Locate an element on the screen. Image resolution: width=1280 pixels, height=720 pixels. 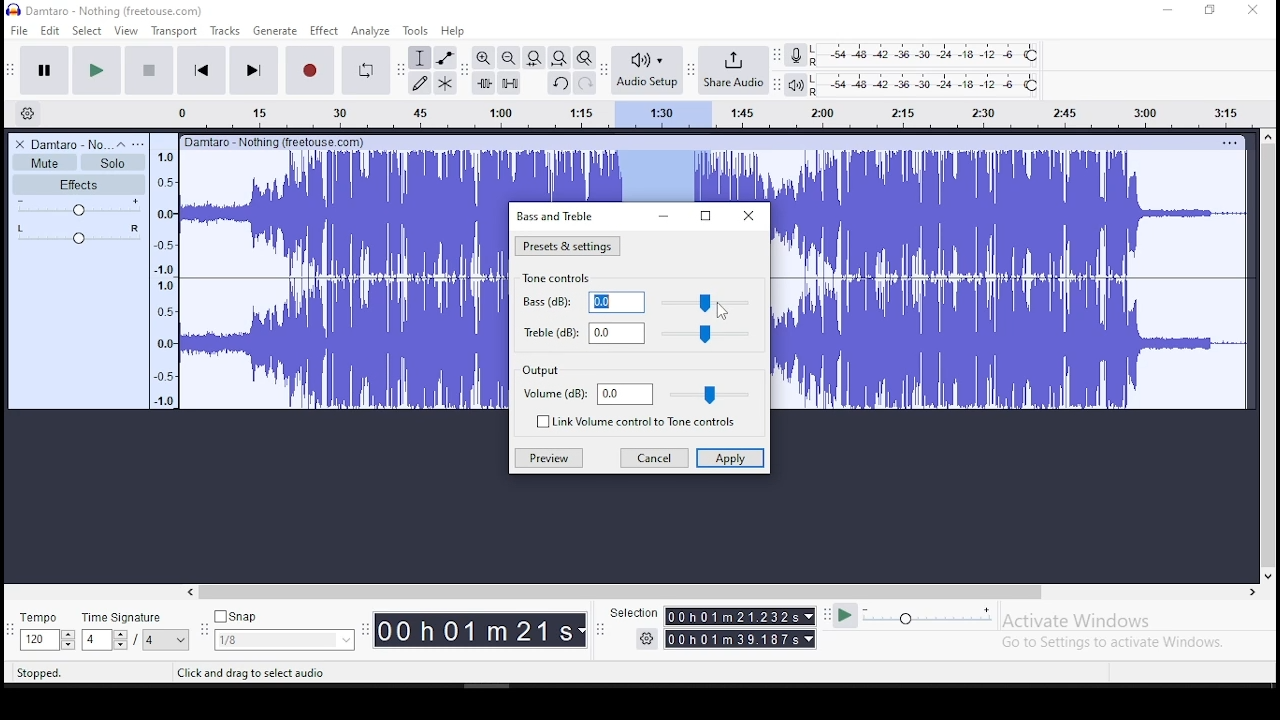
audio track is located at coordinates (344, 213).